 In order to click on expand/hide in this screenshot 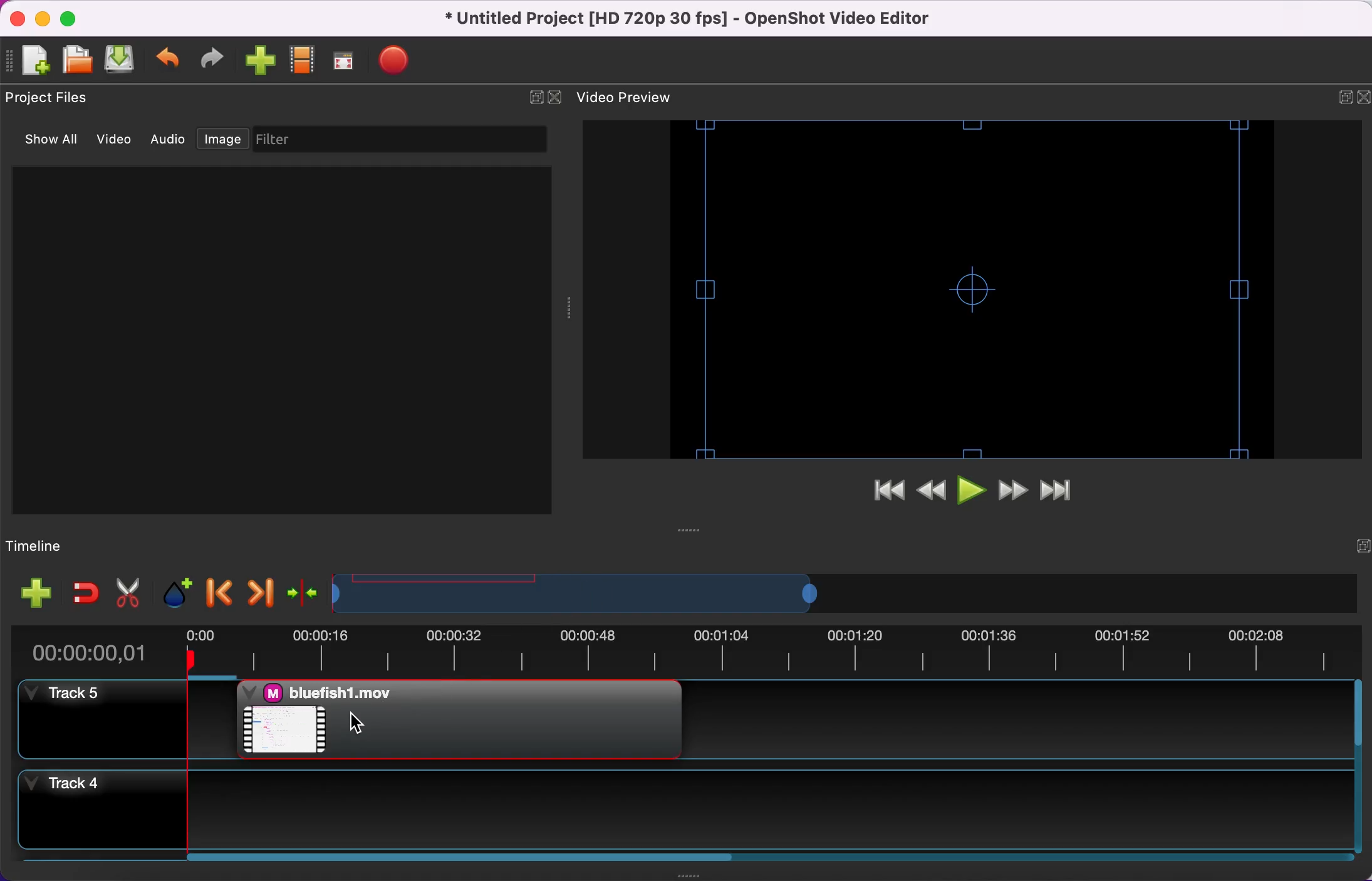, I will do `click(1353, 547)`.